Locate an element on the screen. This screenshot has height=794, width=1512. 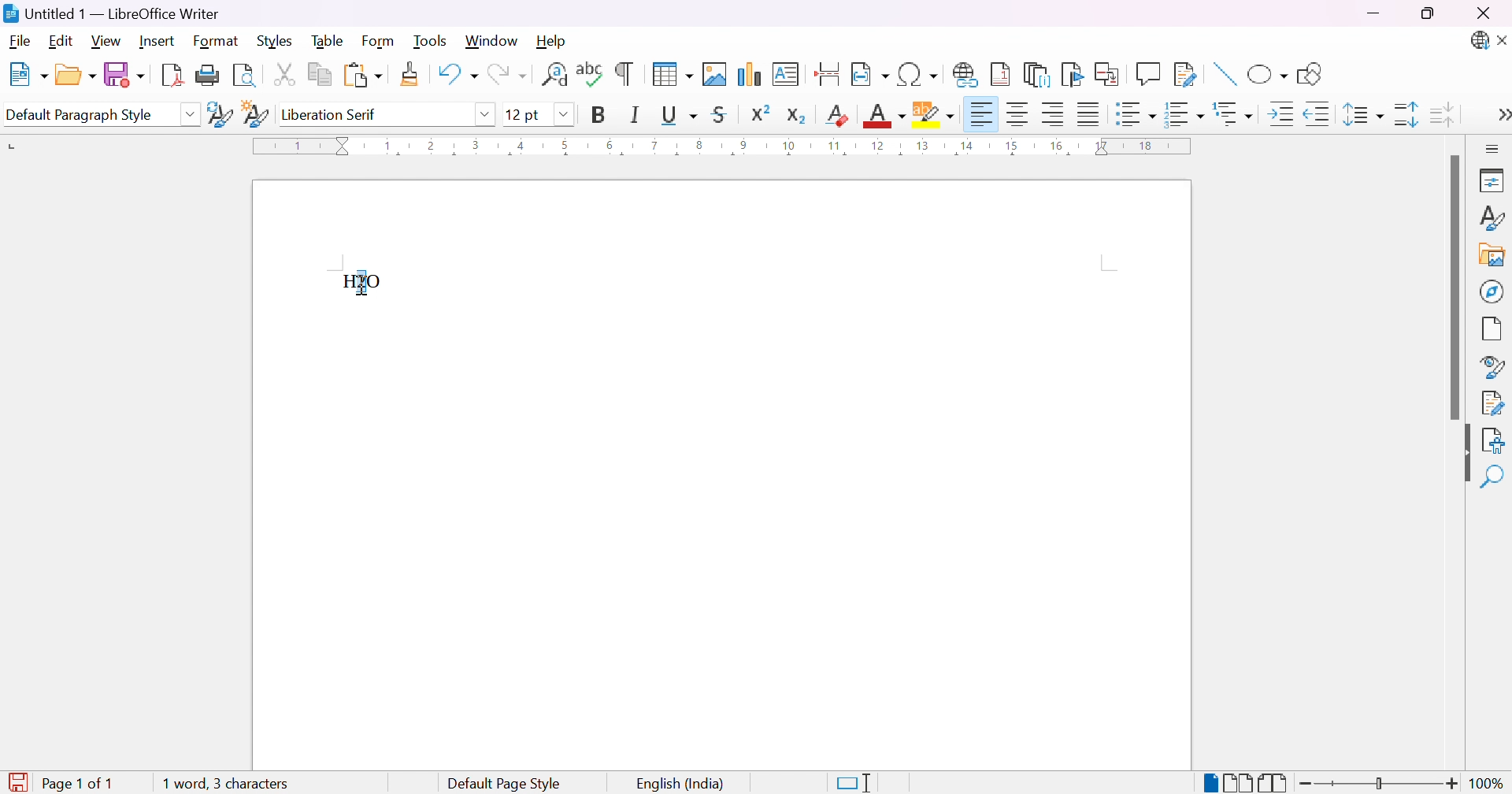
Insert footnote is located at coordinates (1001, 73).